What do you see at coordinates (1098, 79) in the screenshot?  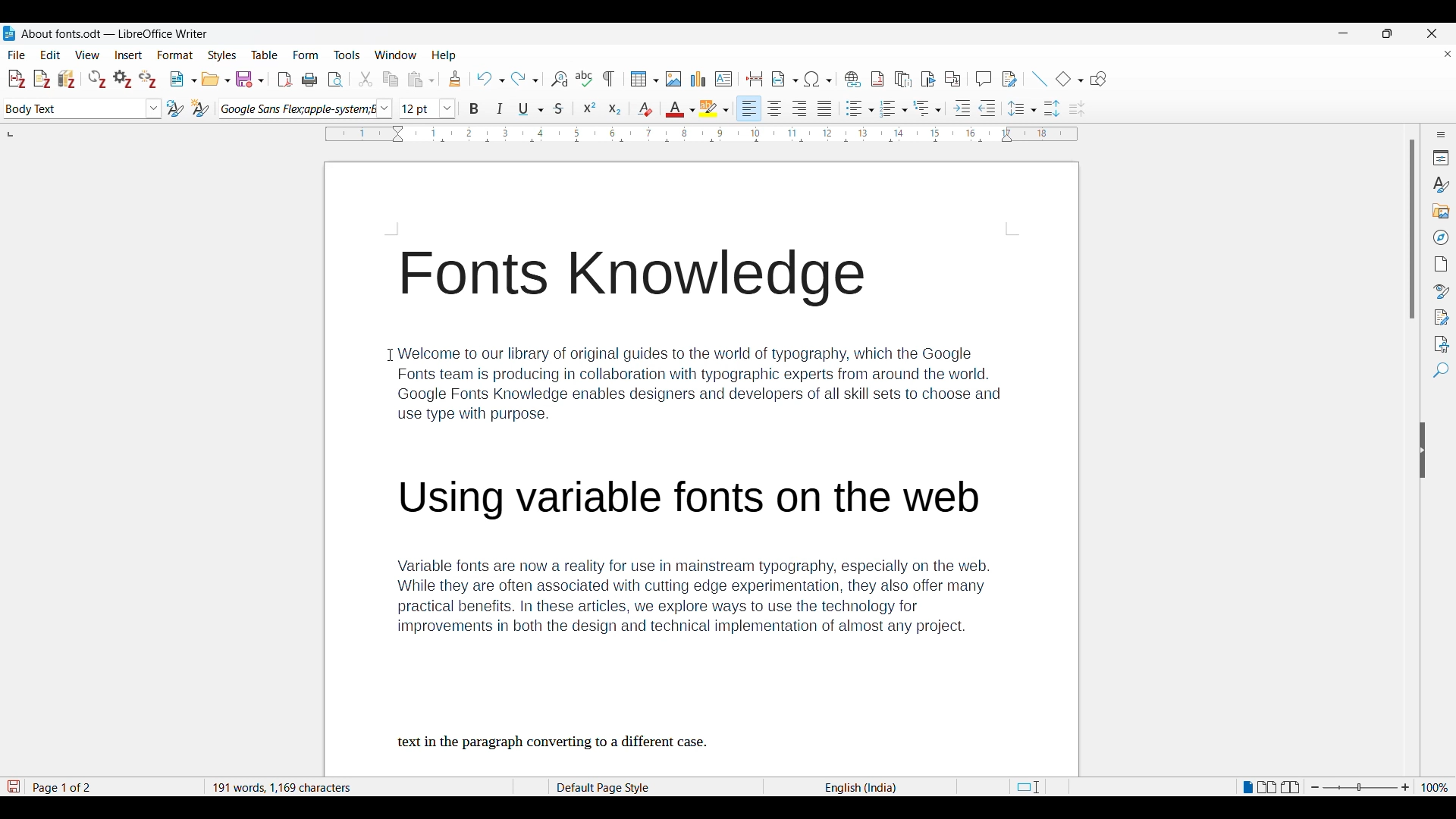 I see `Show draw functions` at bounding box center [1098, 79].